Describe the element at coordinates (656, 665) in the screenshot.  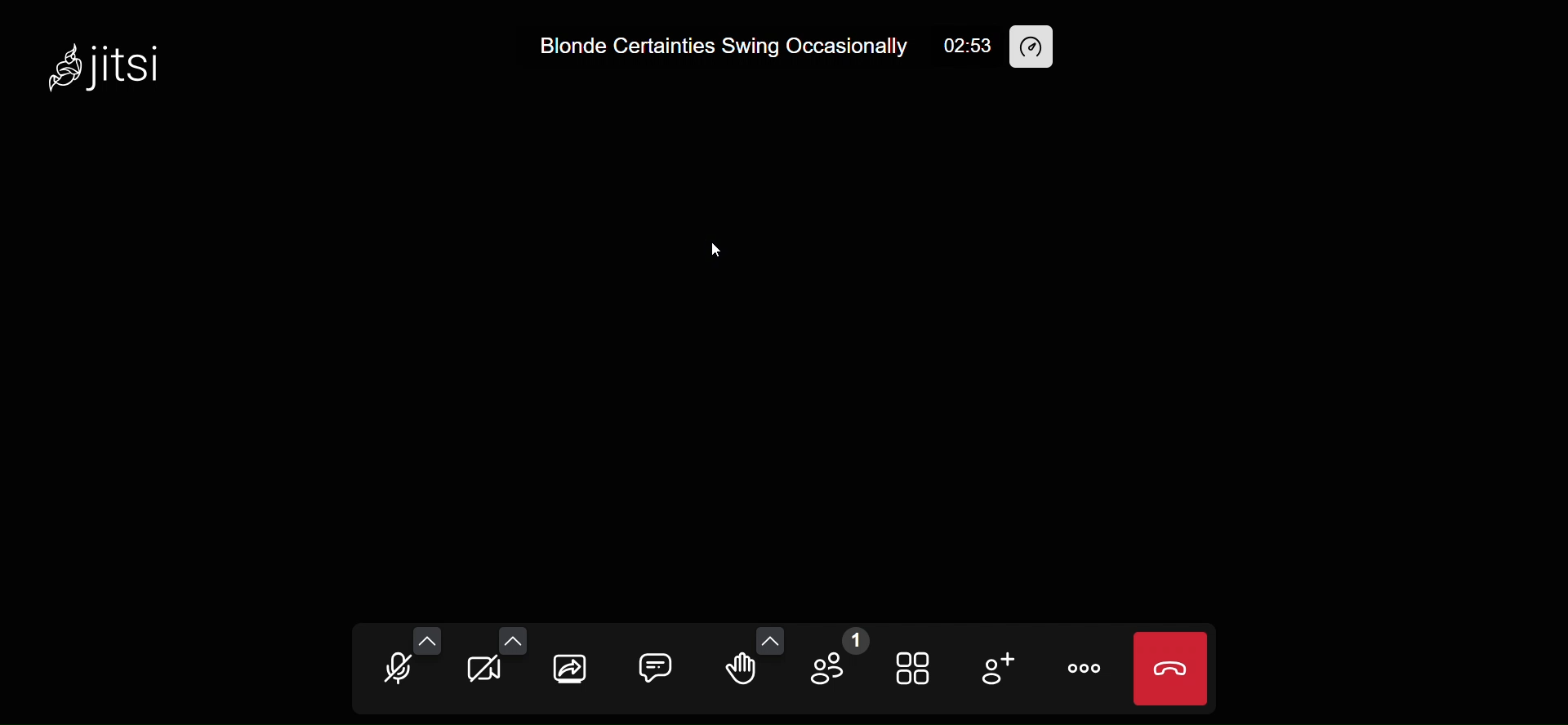
I see `chat` at that location.